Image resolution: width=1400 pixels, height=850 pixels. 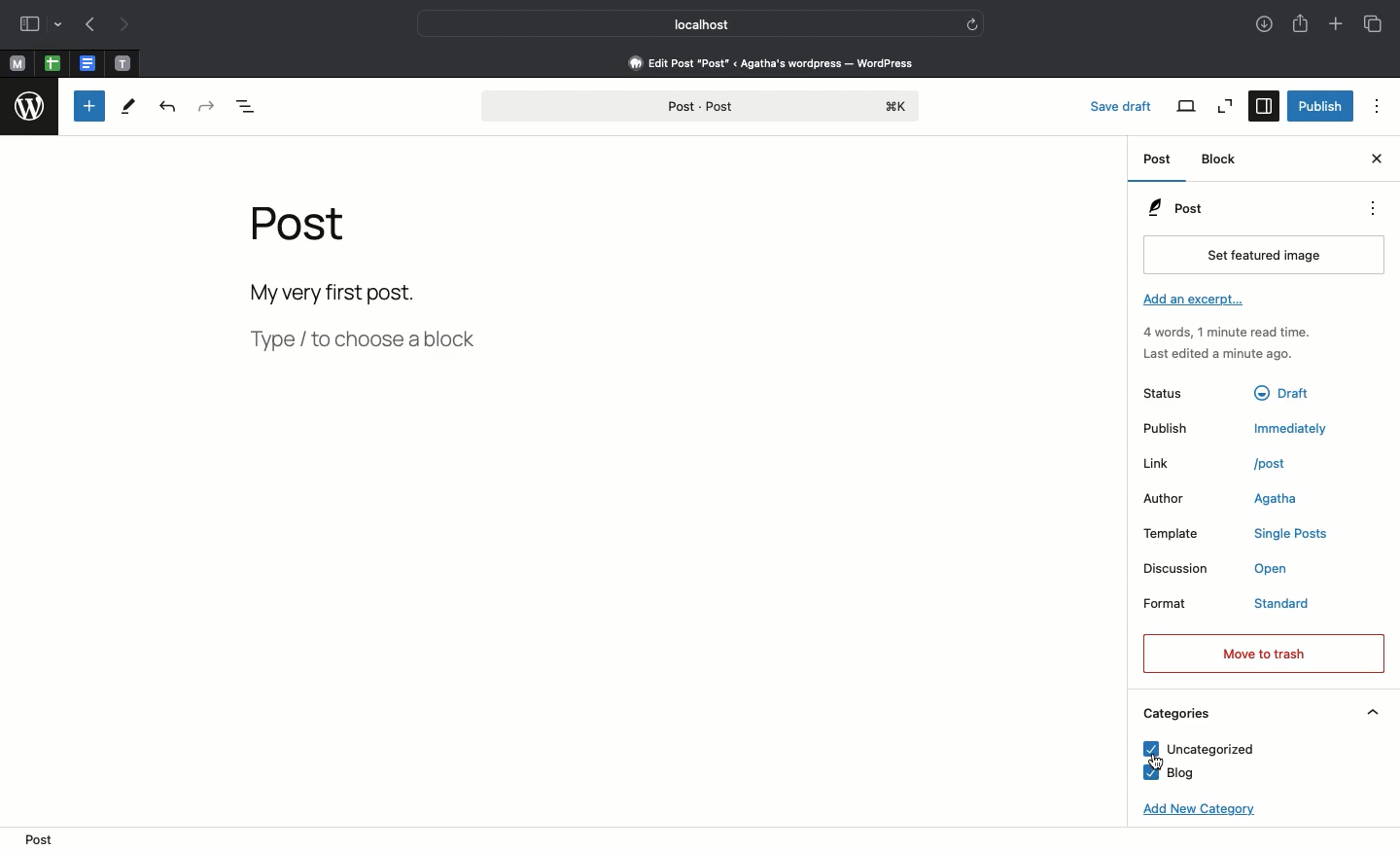 I want to click on Previous page, so click(x=90, y=26).